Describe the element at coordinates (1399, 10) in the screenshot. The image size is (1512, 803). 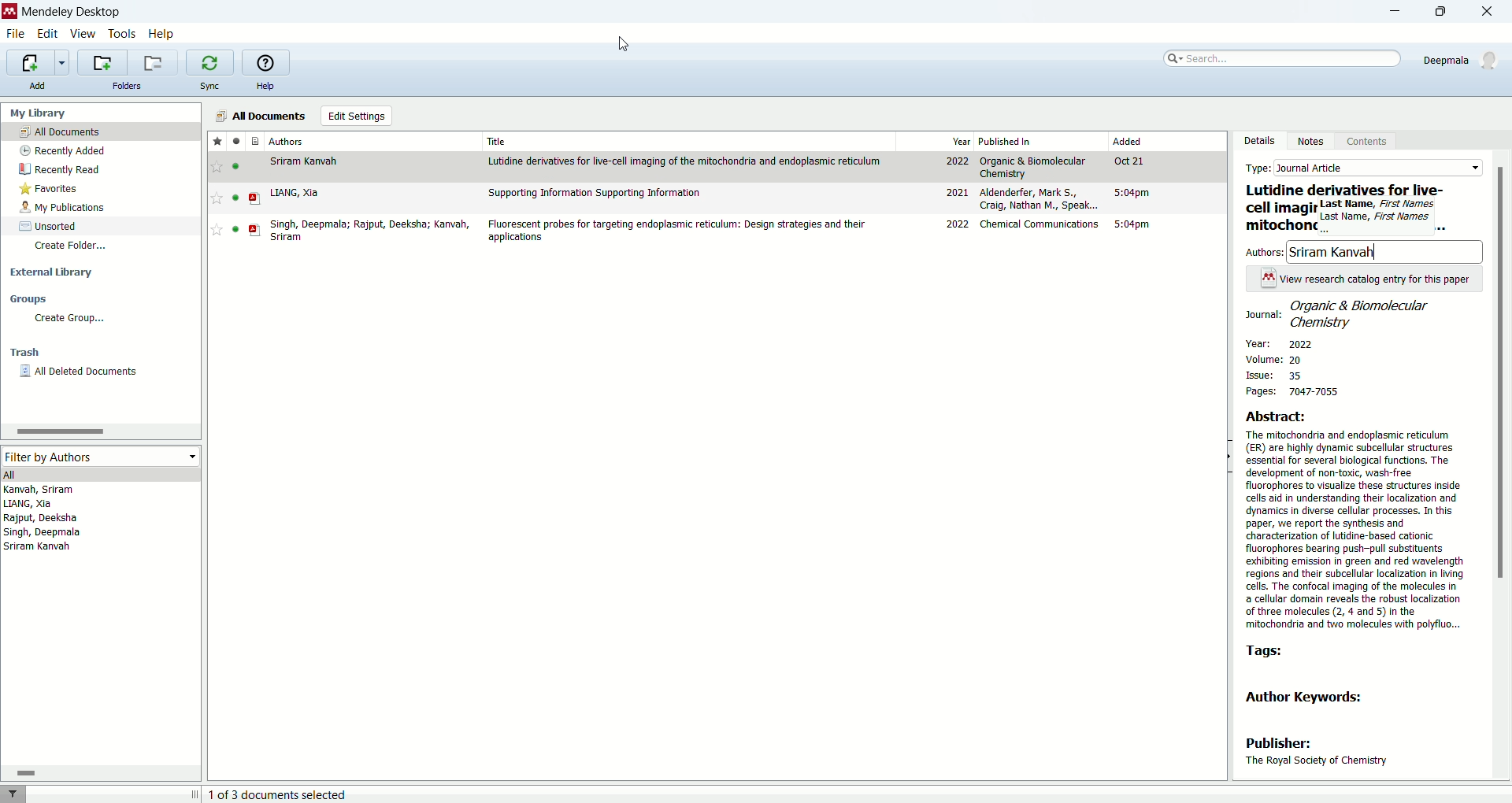
I see `minimize` at that location.